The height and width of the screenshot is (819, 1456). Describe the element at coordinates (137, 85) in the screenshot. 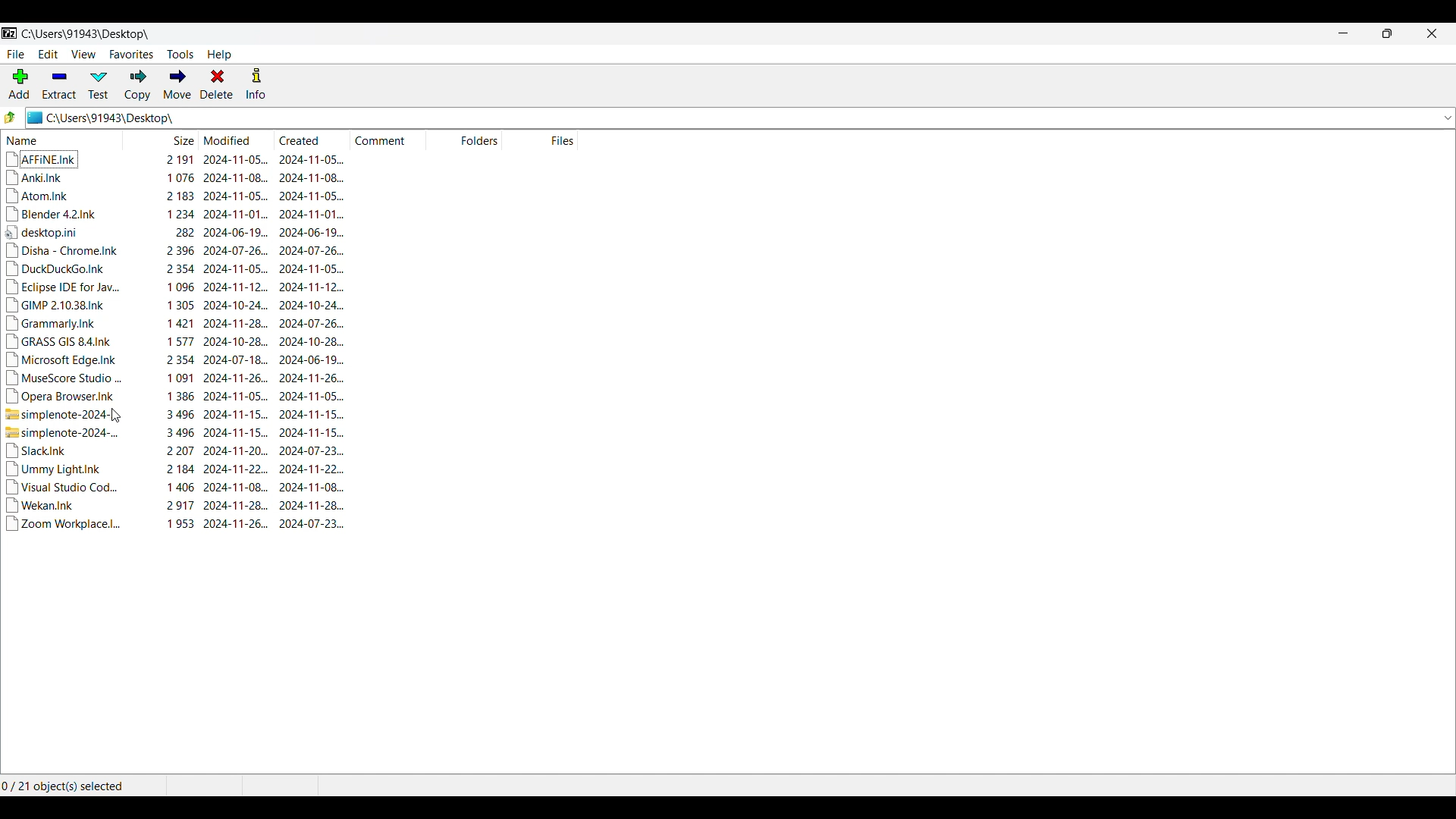

I see `Copy` at that location.